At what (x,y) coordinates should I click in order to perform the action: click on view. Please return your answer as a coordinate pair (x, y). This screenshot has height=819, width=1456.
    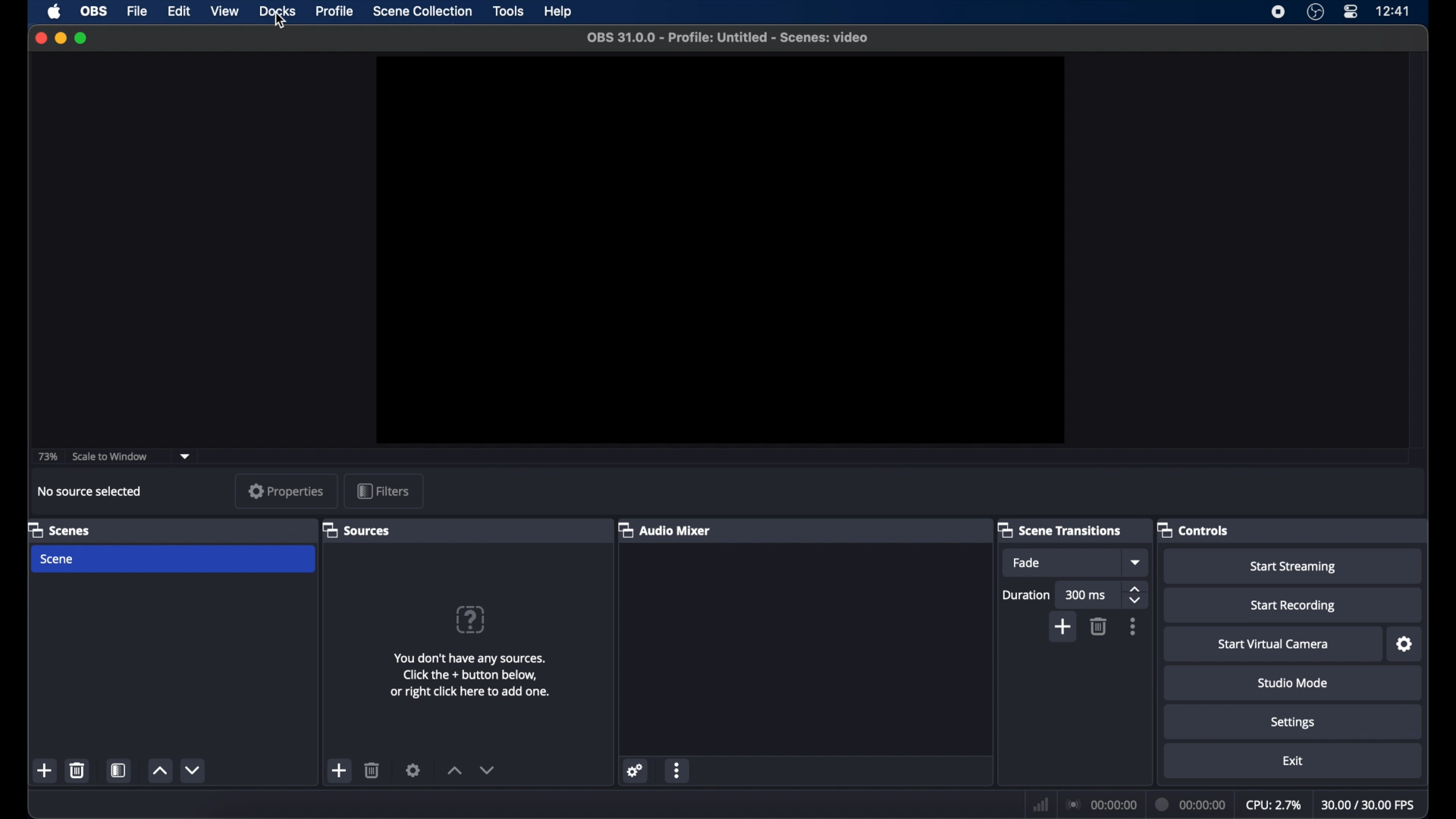
    Looking at the image, I should click on (224, 11).